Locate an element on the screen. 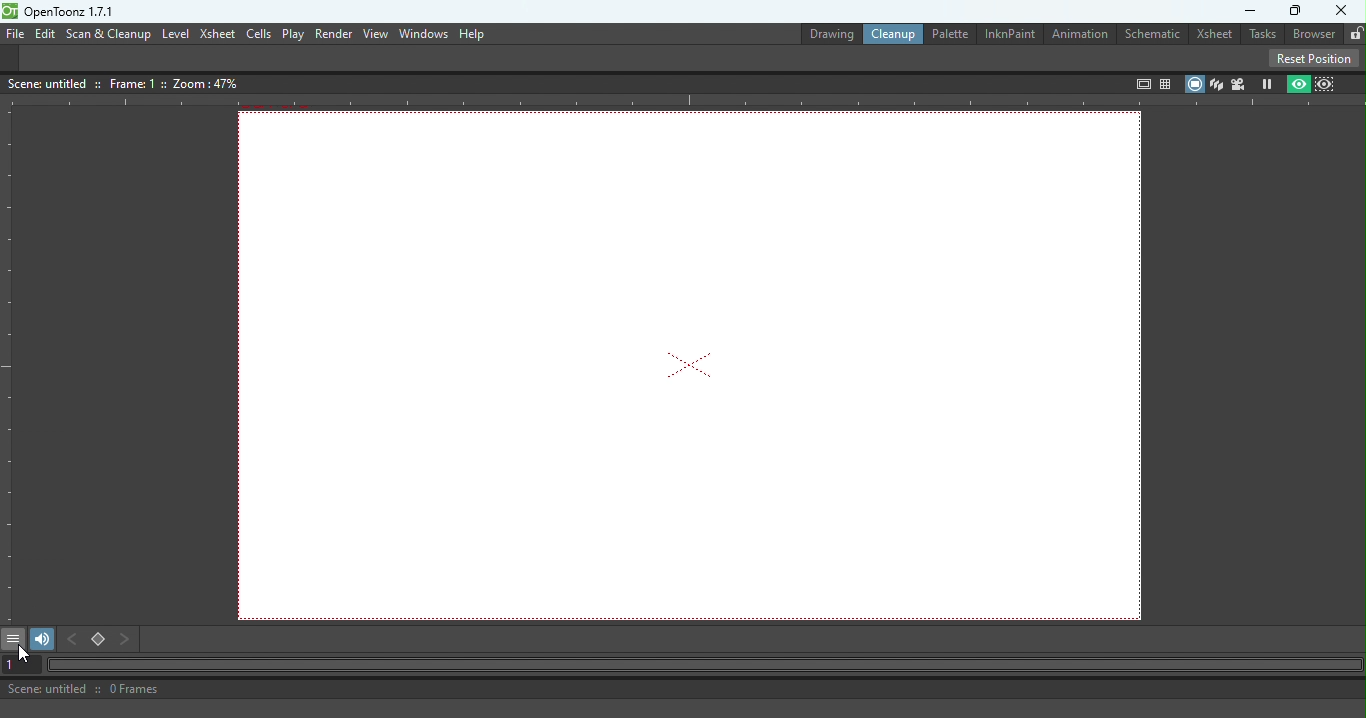 The width and height of the screenshot is (1366, 718). Canvas details is located at coordinates (127, 82).